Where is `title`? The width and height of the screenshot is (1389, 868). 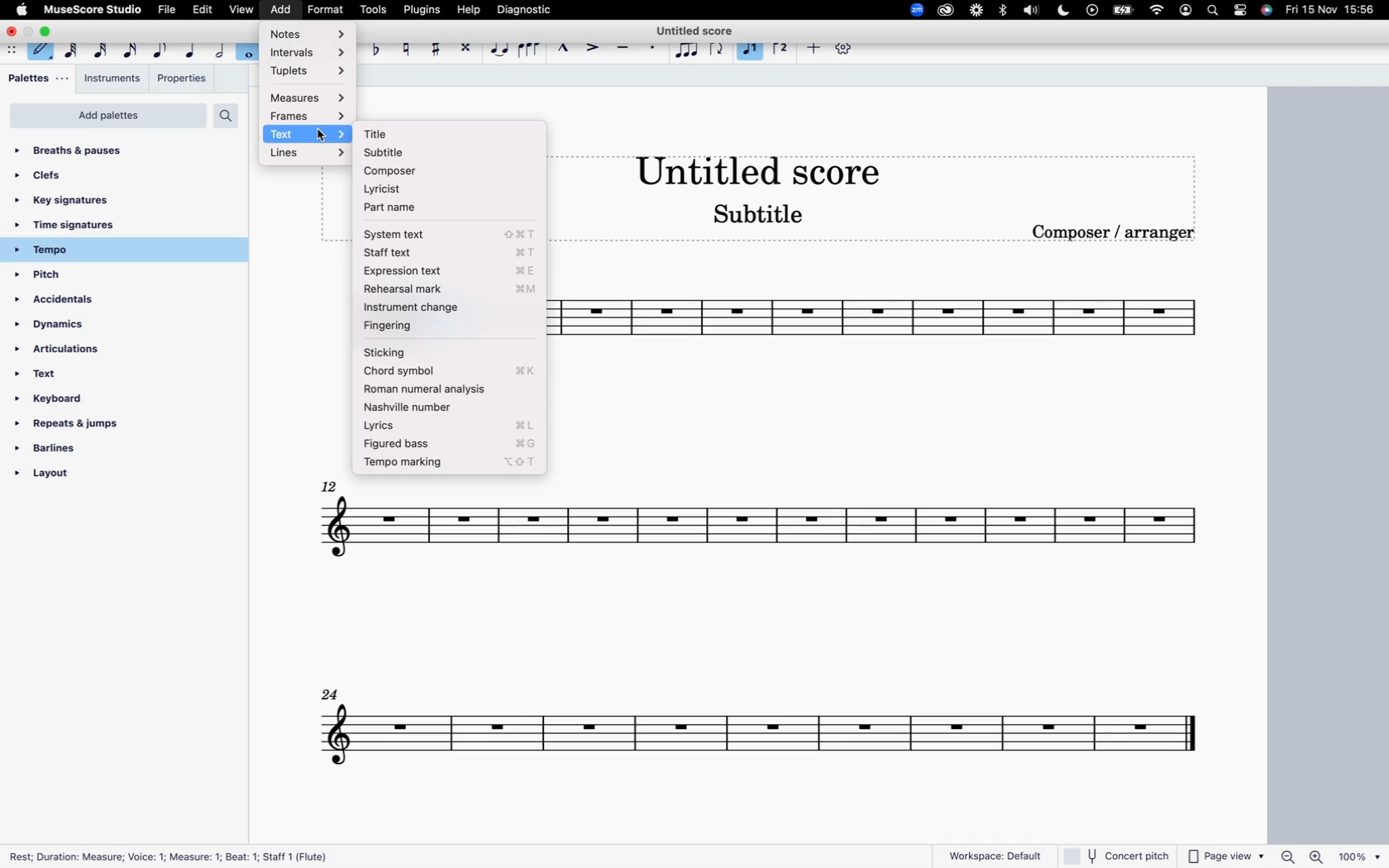 title is located at coordinates (435, 136).